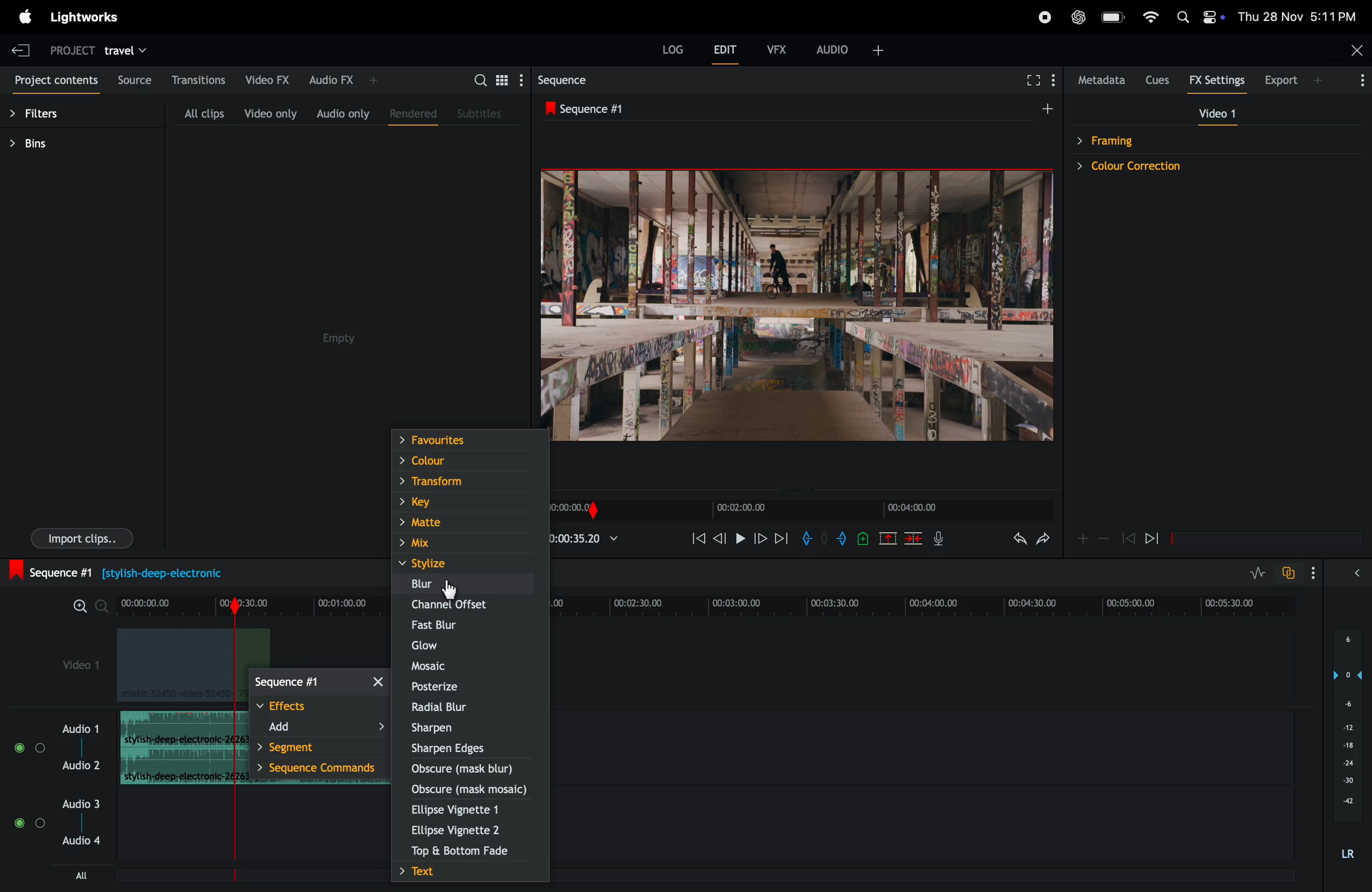 The height and width of the screenshot is (892, 1372). What do you see at coordinates (41, 823) in the screenshot?
I see `Toggle` at bounding box center [41, 823].